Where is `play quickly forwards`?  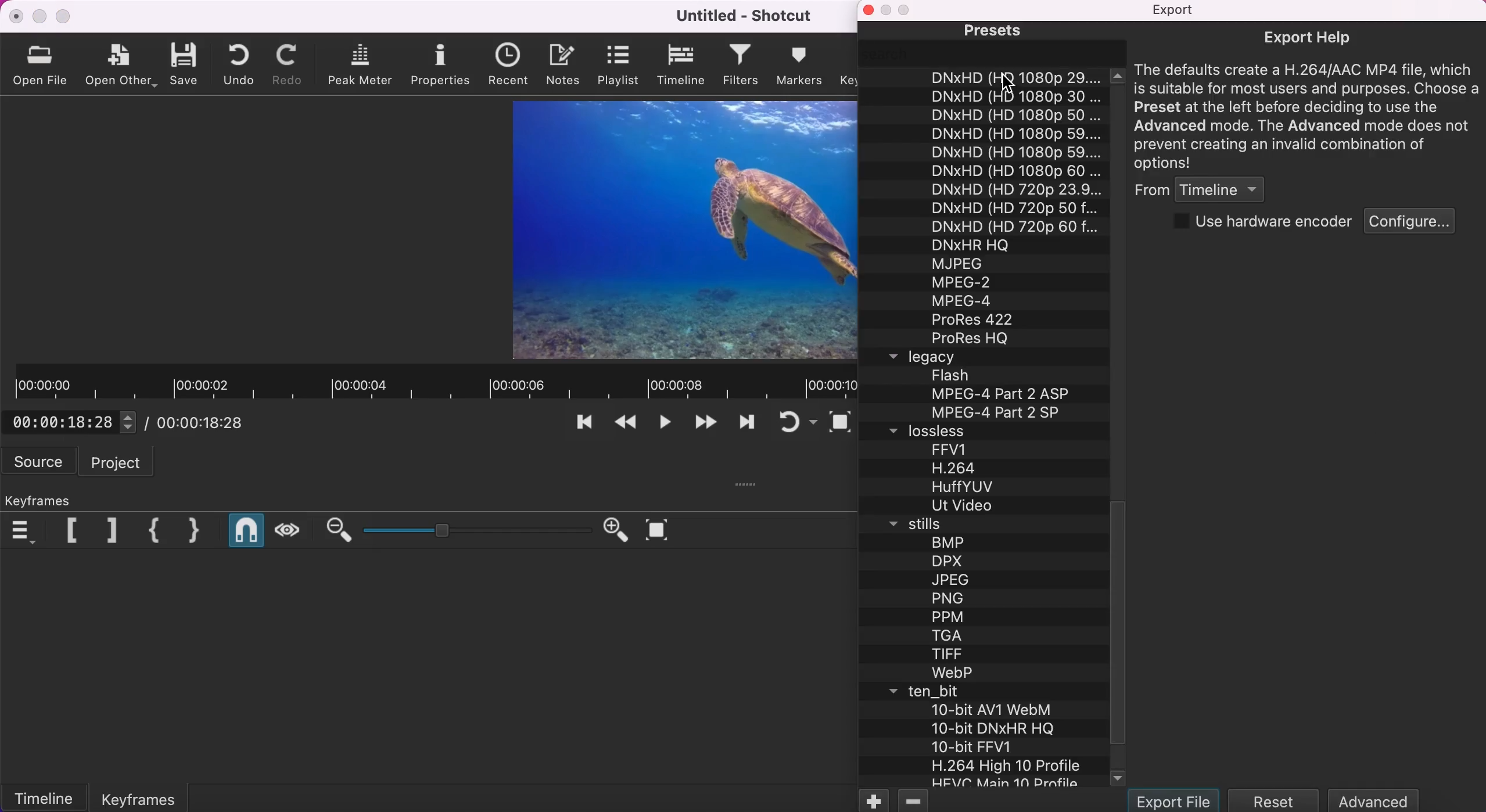
play quickly forwards is located at coordinates (748, 422).